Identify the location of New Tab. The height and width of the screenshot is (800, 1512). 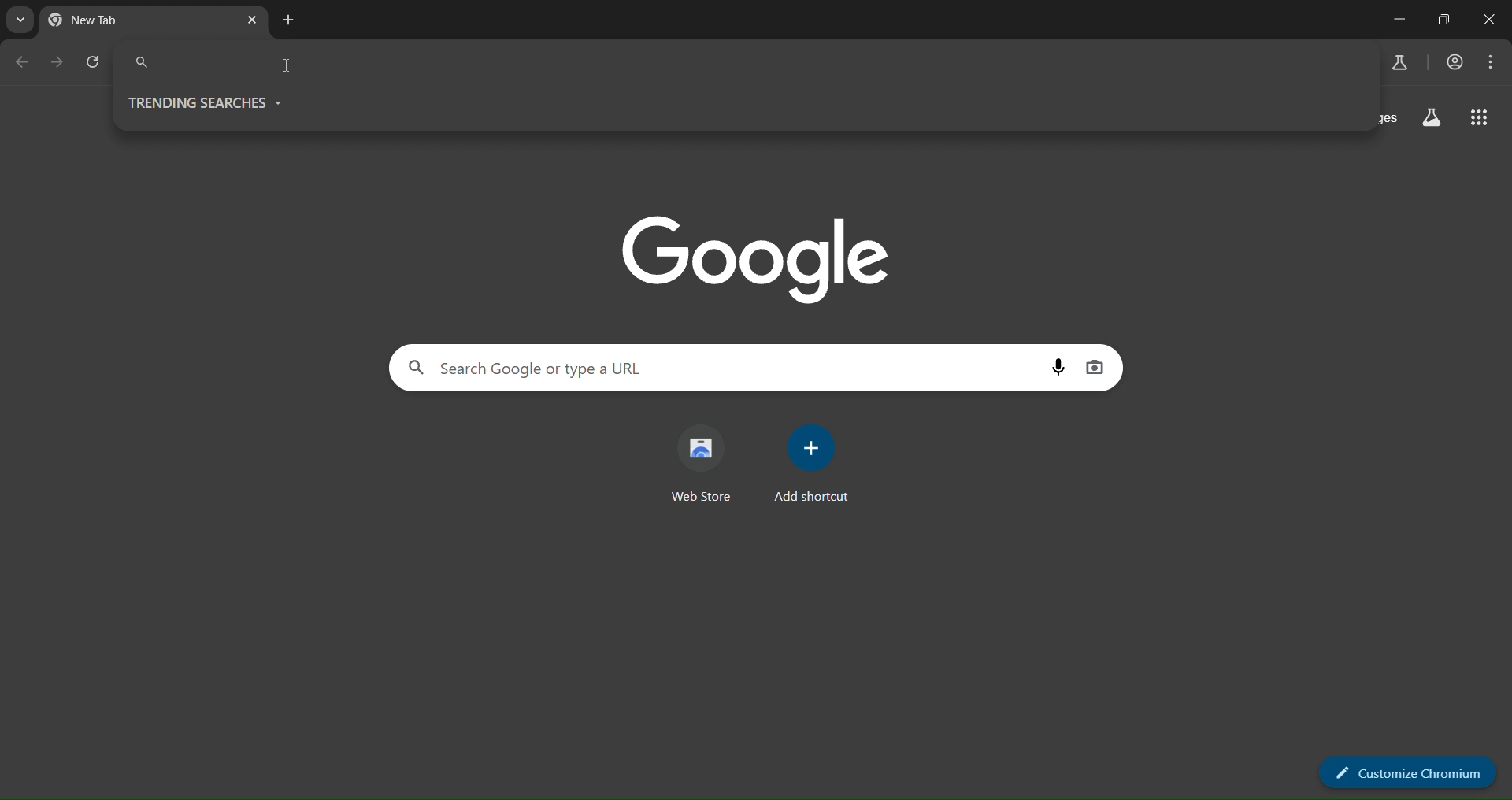
(106, 20).